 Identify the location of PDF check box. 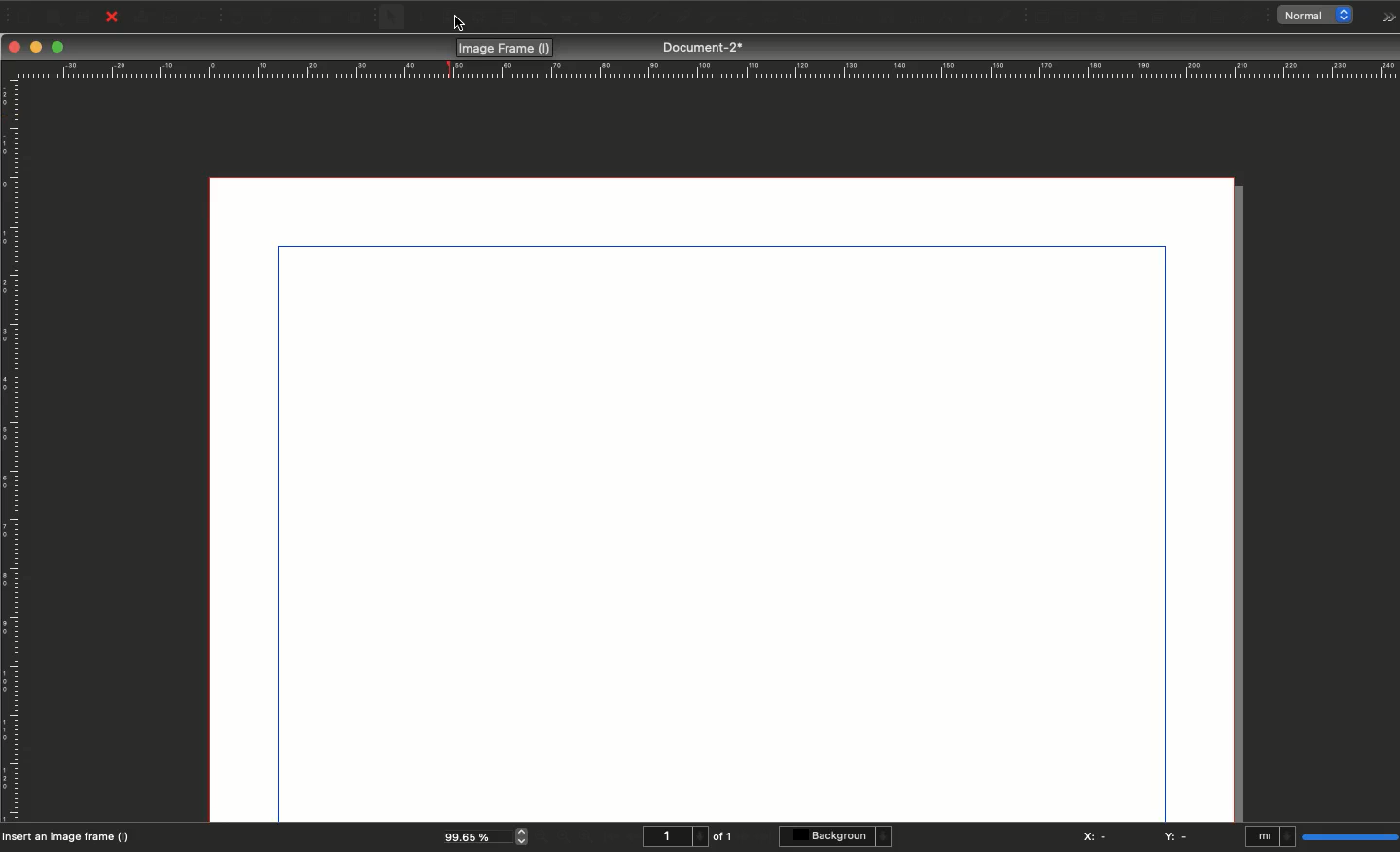
(1071, 18).